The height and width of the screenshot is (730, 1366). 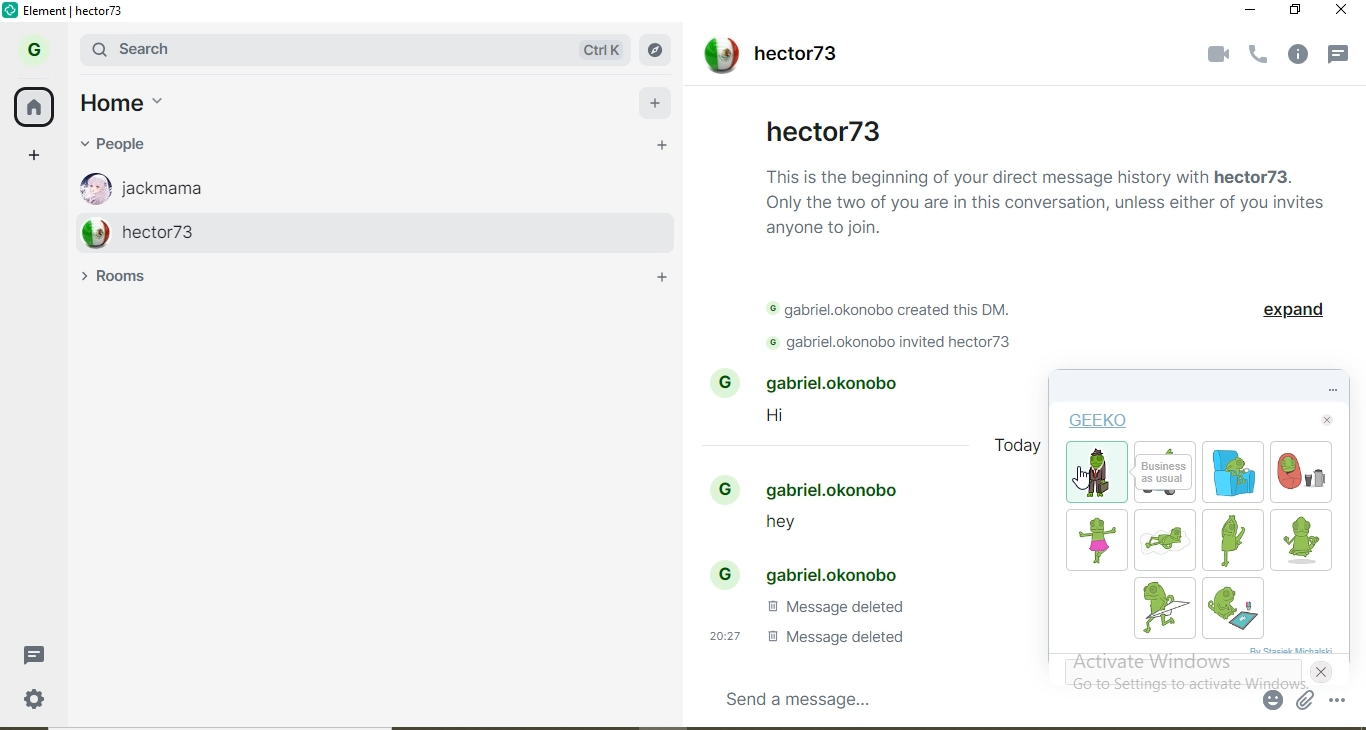 What do you see at coordinates (1343, 57) in the screenshot?
I see `notifications` at bounding box center [1343, 57].